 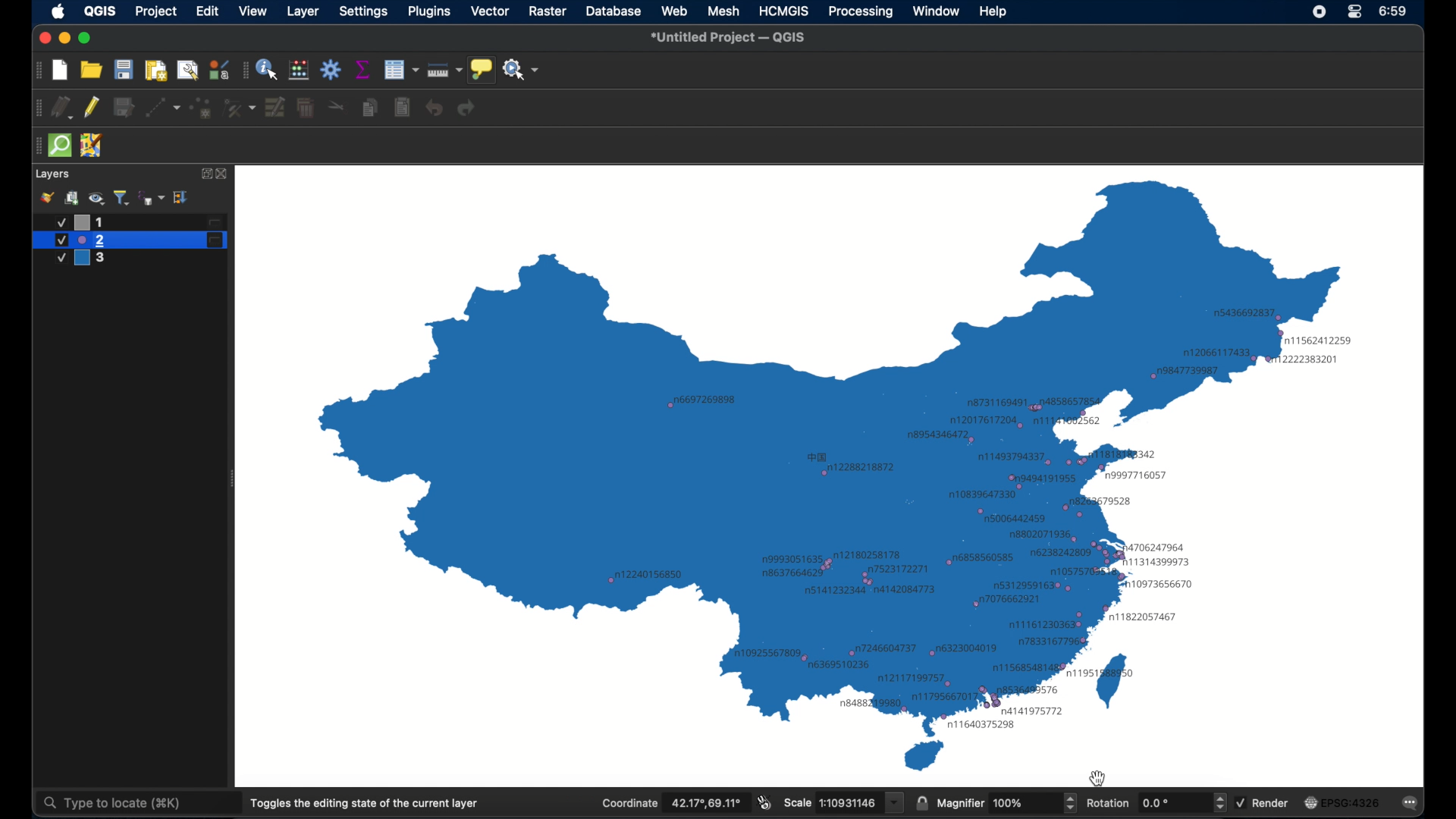 What do you see at coordinates (254, 11) in the screenshot?
I see `view` at bounding box center [254, 11].